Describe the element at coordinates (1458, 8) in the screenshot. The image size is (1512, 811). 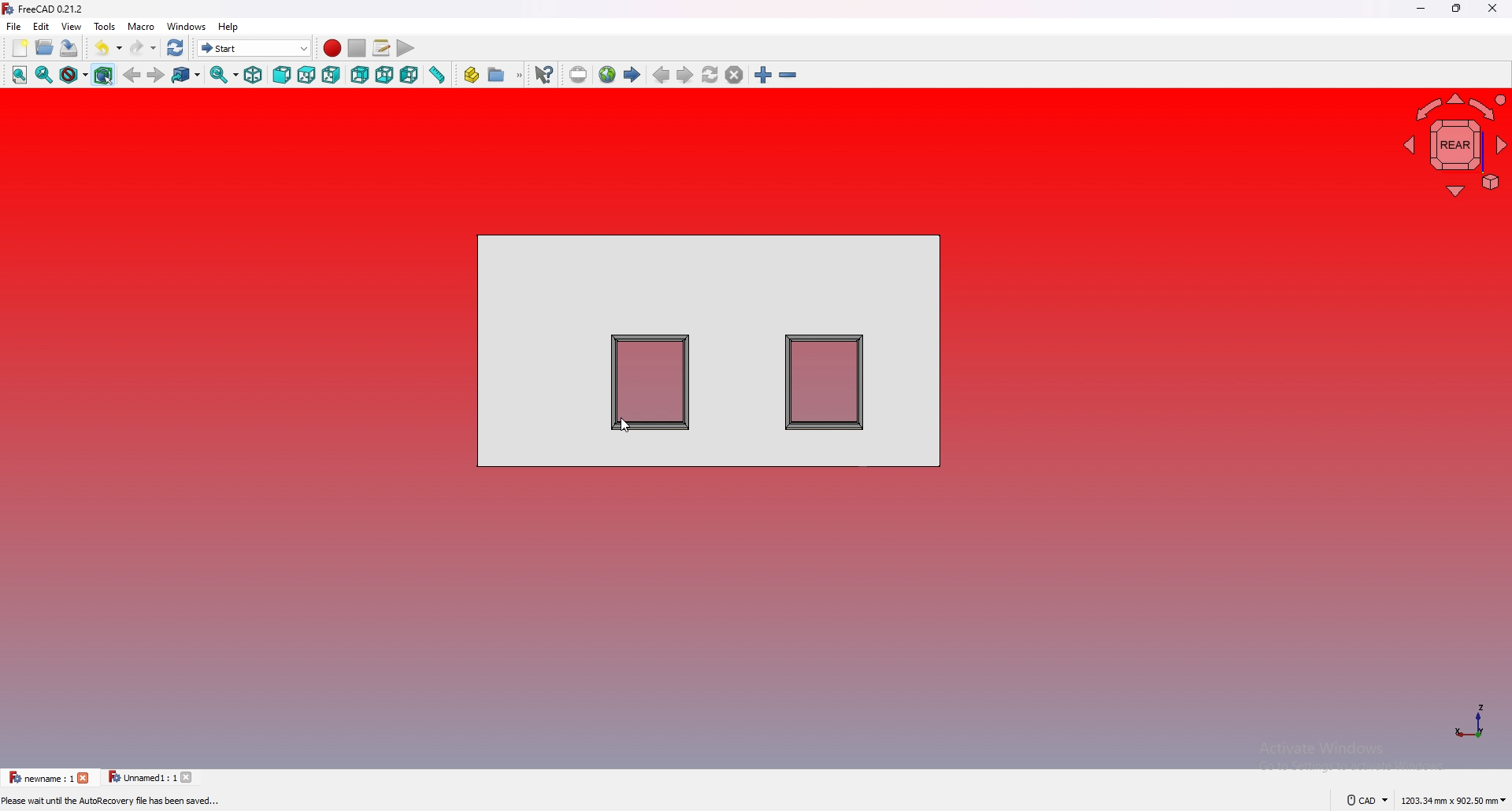
I see `resize` at that location.